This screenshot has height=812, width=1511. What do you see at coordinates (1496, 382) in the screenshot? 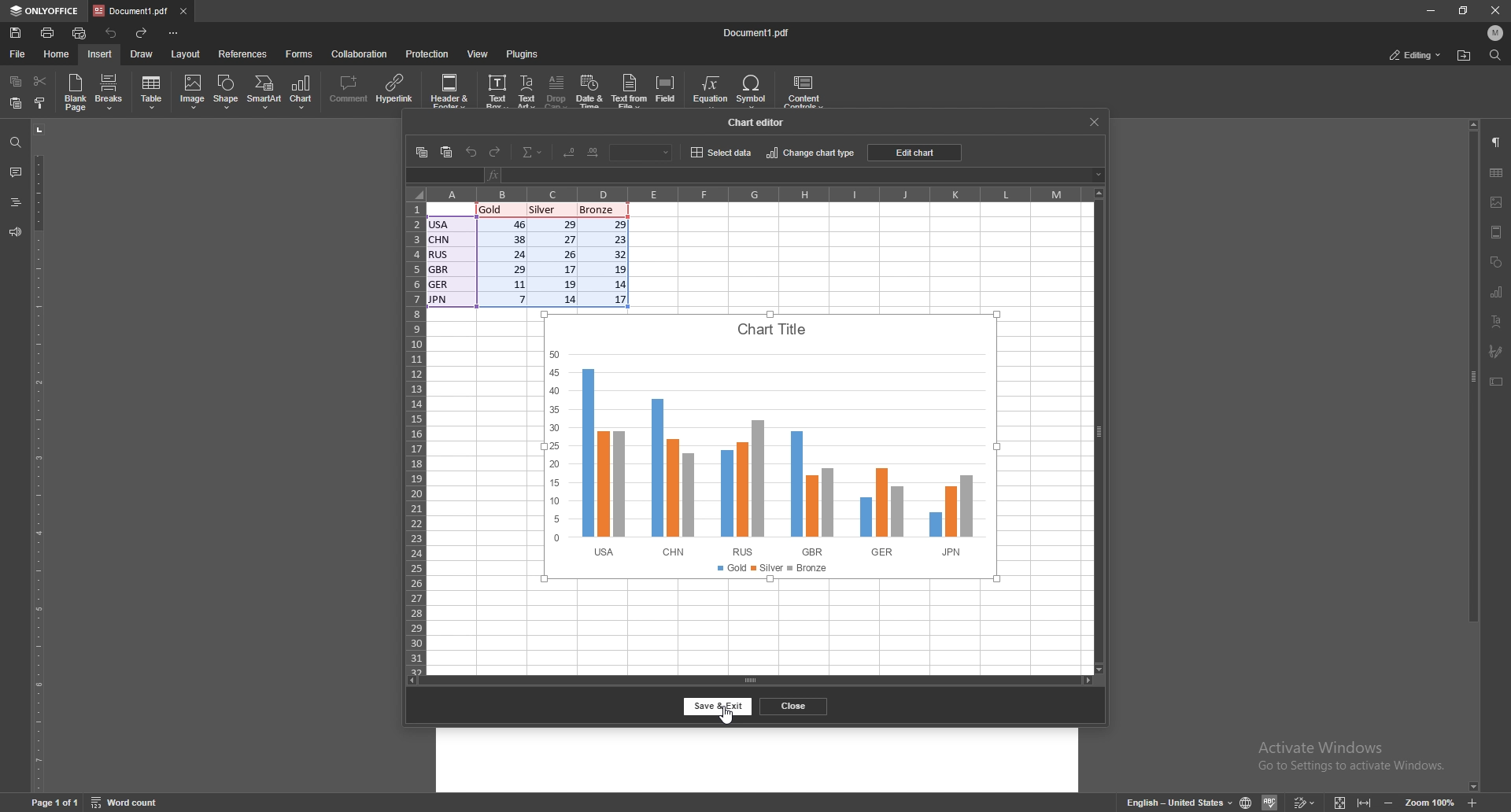
I see `text box` at bounding box center [1496, 382].